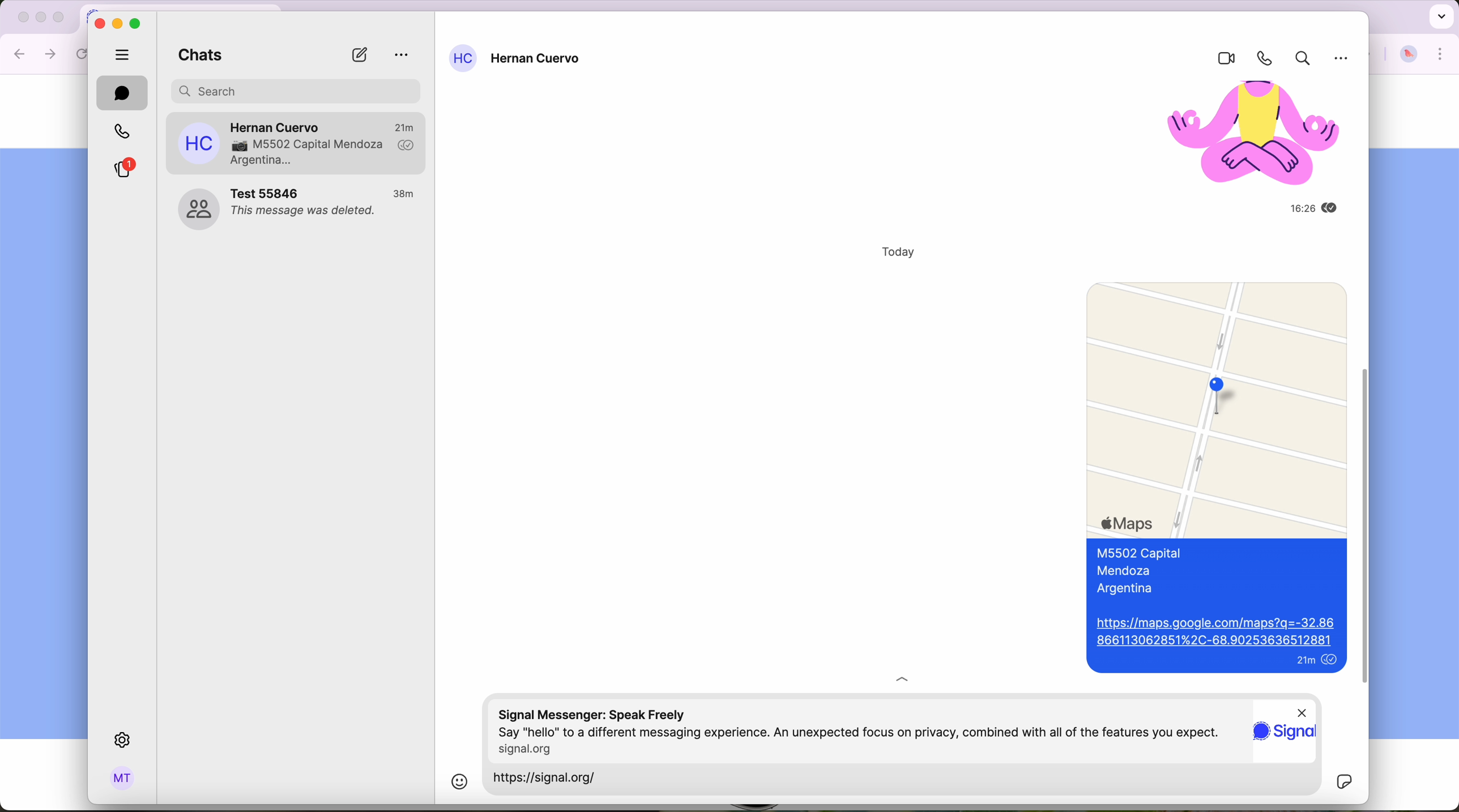 The width and height of the screenshot is (1459, 812). Describe the element at coordinates (1261, 58) in the screenshot. I see `phone` at that location.